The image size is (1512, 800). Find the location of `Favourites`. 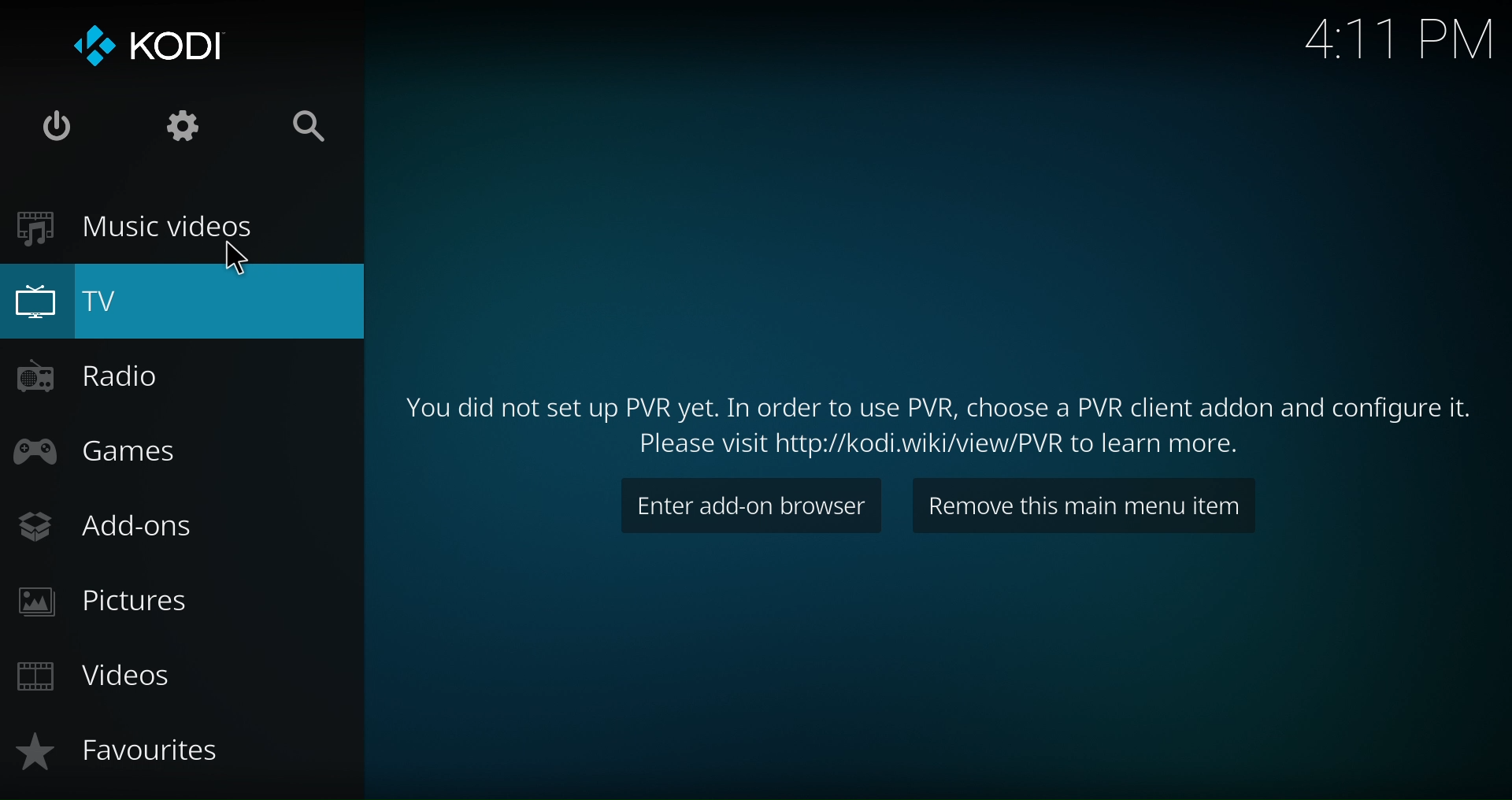

Favourites is located at coordinates (181, 759).